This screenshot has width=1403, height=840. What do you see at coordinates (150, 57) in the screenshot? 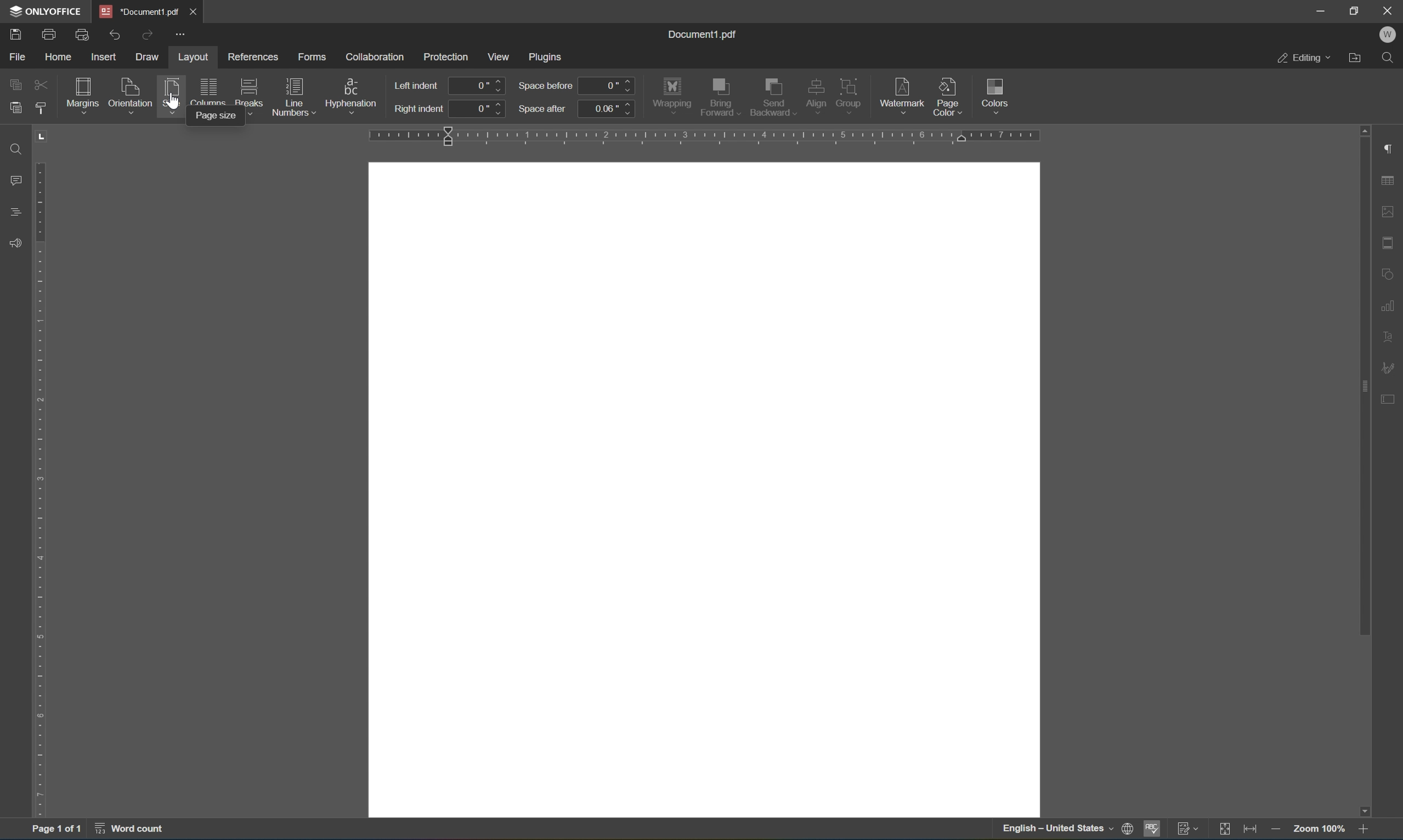
I see `draw` at bounding box center [150, 57].